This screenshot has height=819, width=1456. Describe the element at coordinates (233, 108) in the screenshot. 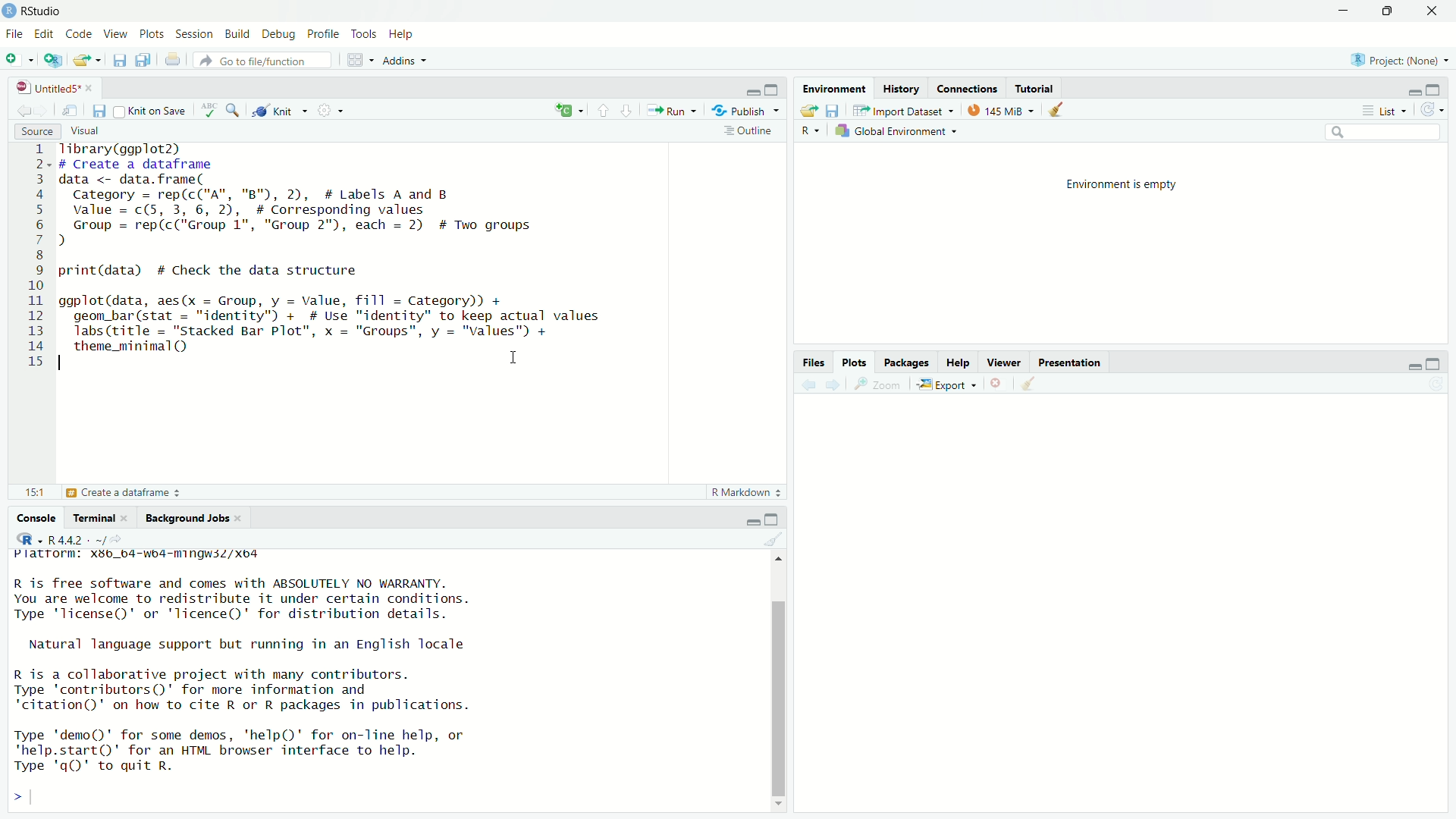

I see `Find/Replace` at that location.